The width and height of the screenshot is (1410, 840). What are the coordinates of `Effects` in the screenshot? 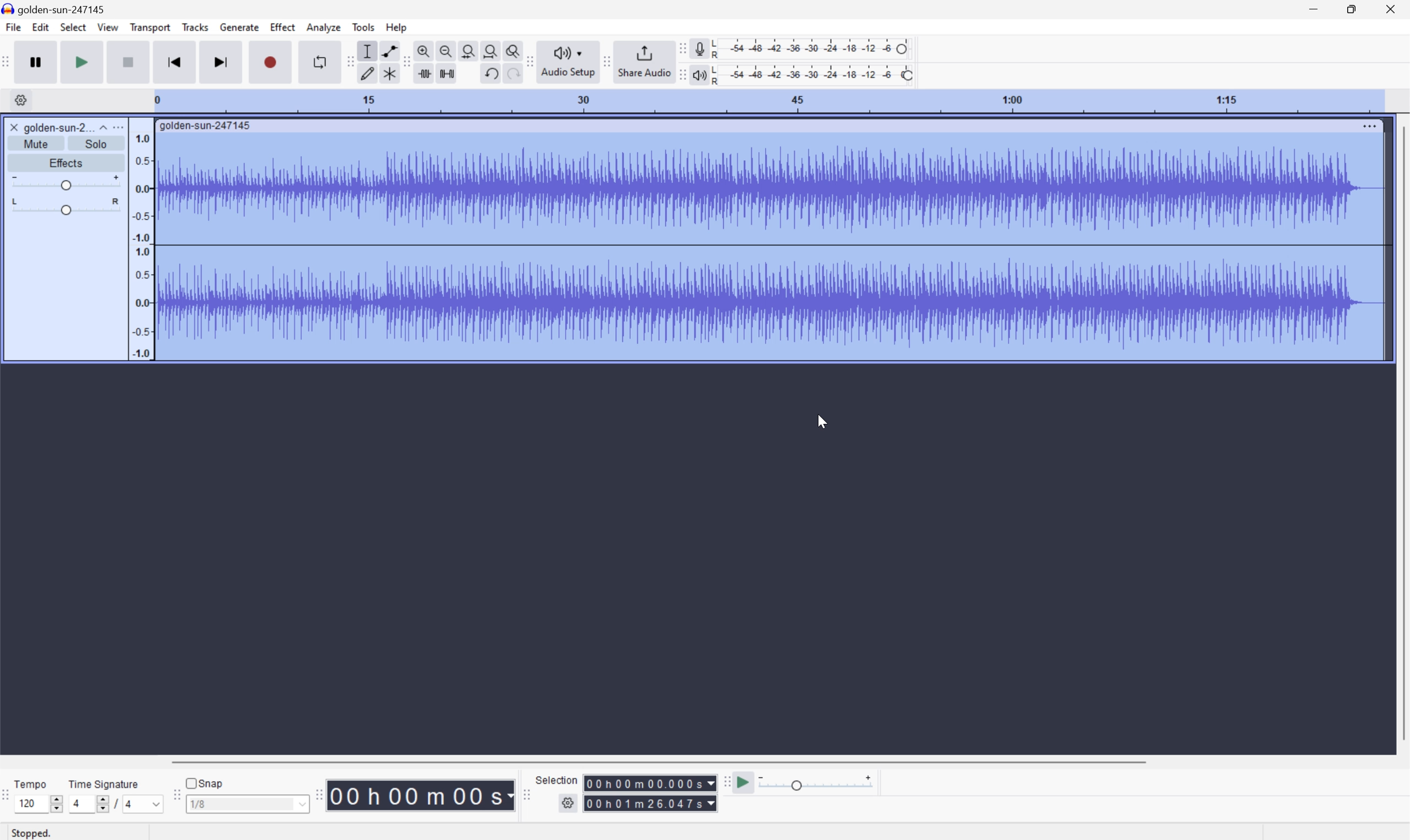 It's located at (67, 163).